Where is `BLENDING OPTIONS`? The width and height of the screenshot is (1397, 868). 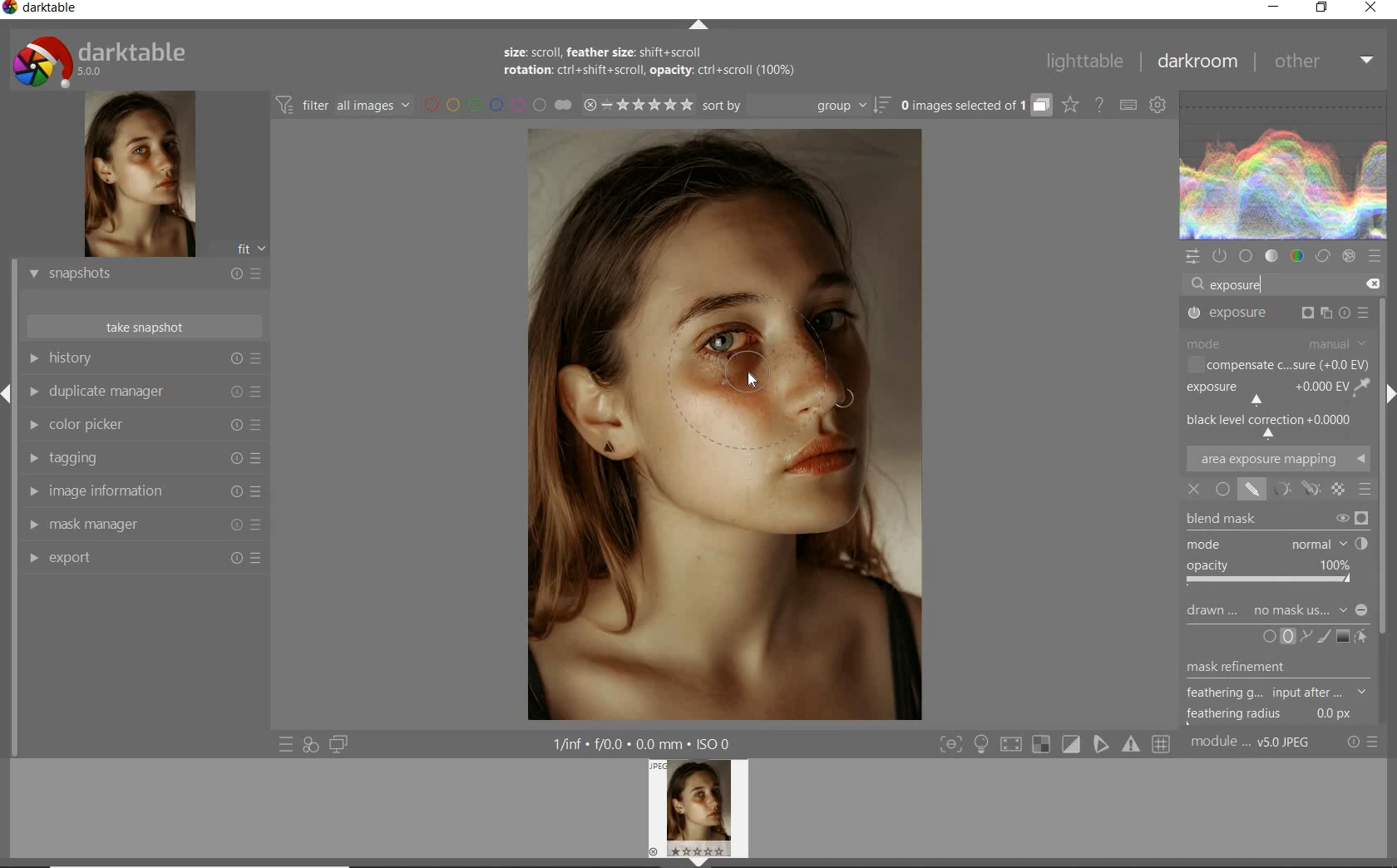
BLENDING OPTIONS is located at coordinates (1364, 491).